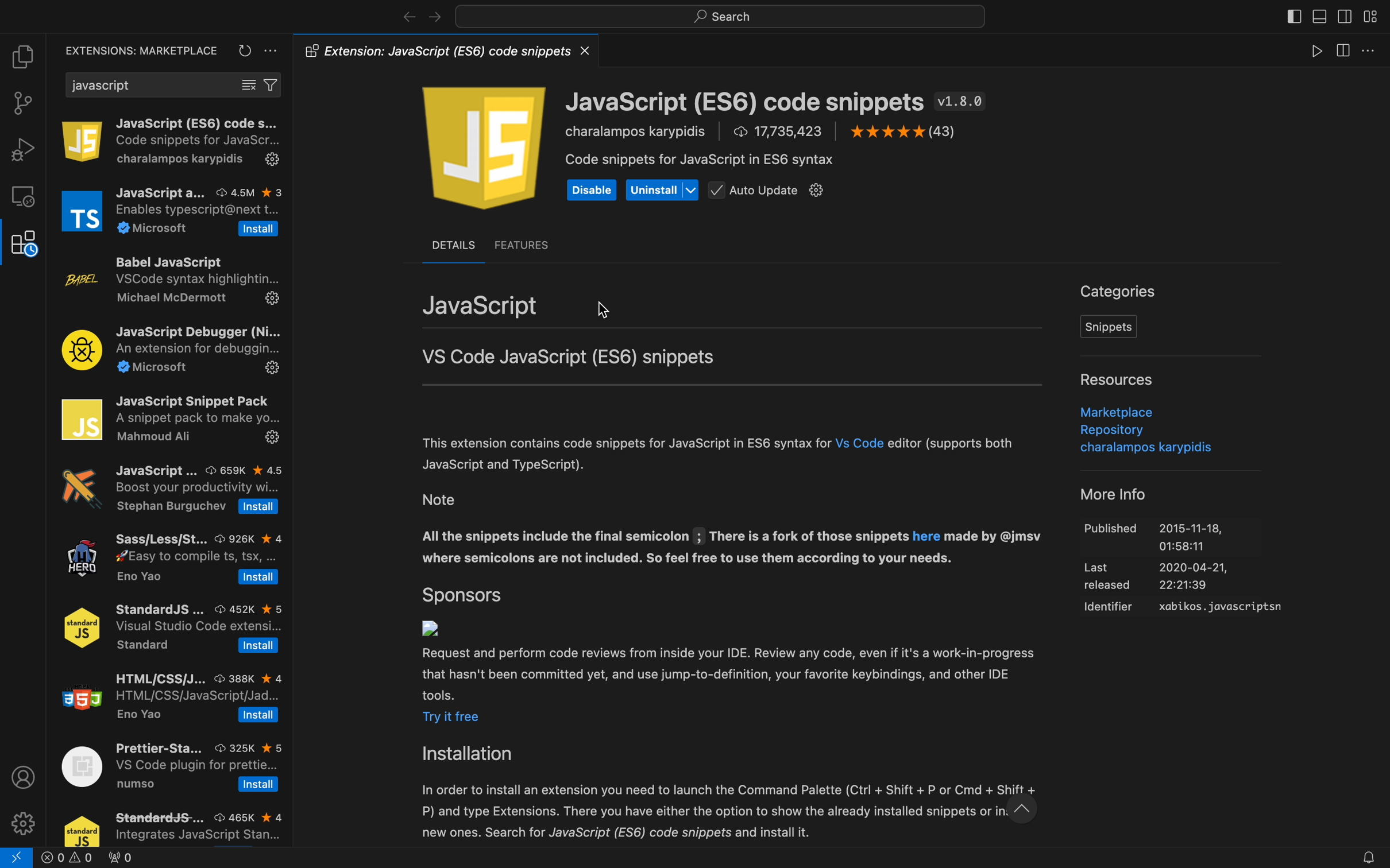 Image resolution: width=1390 pixels, height=868 pixels. I want to click on search bar, so click(176, 84).